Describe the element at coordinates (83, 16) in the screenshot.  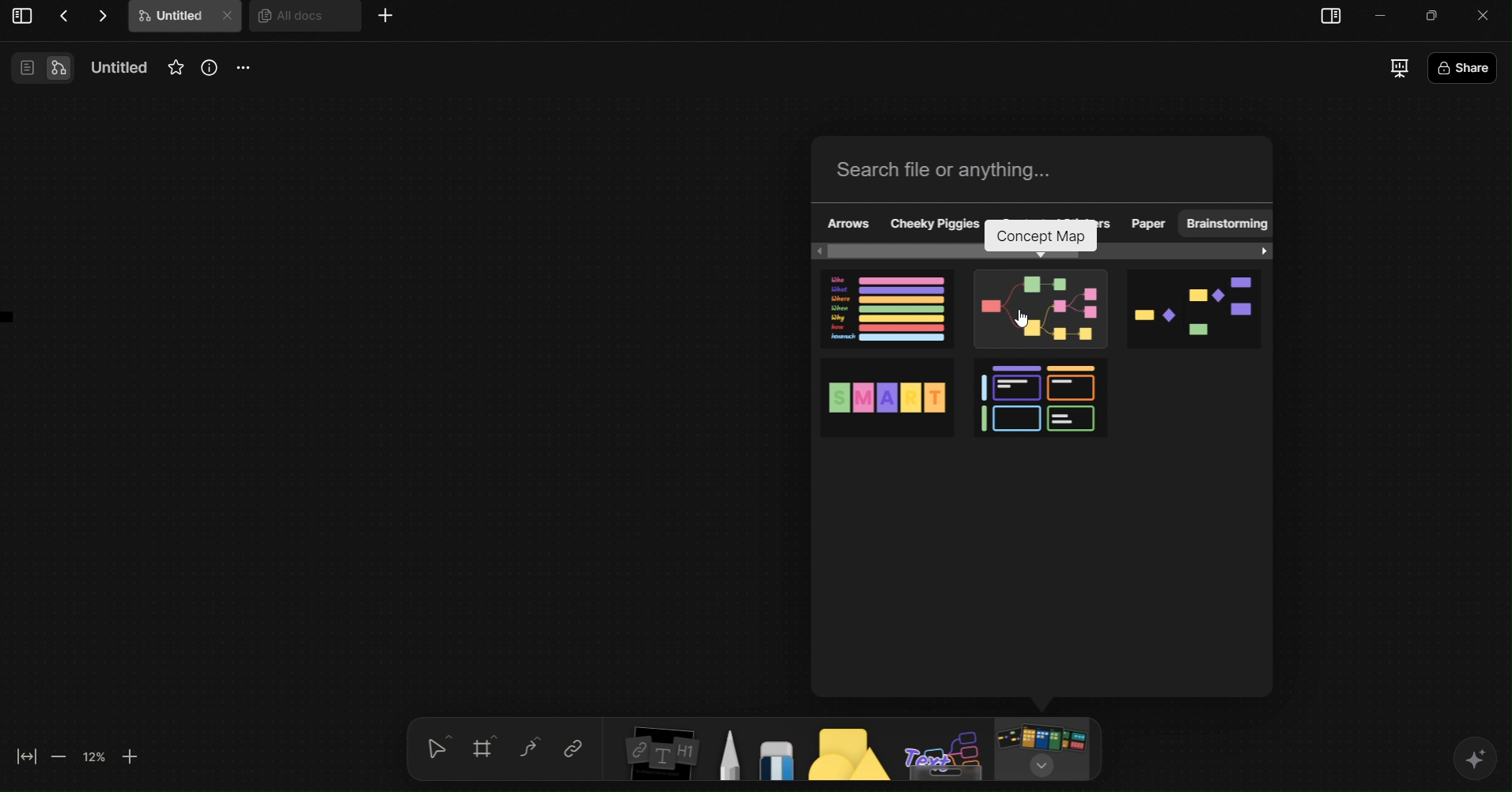
I see `Actions` at that location.